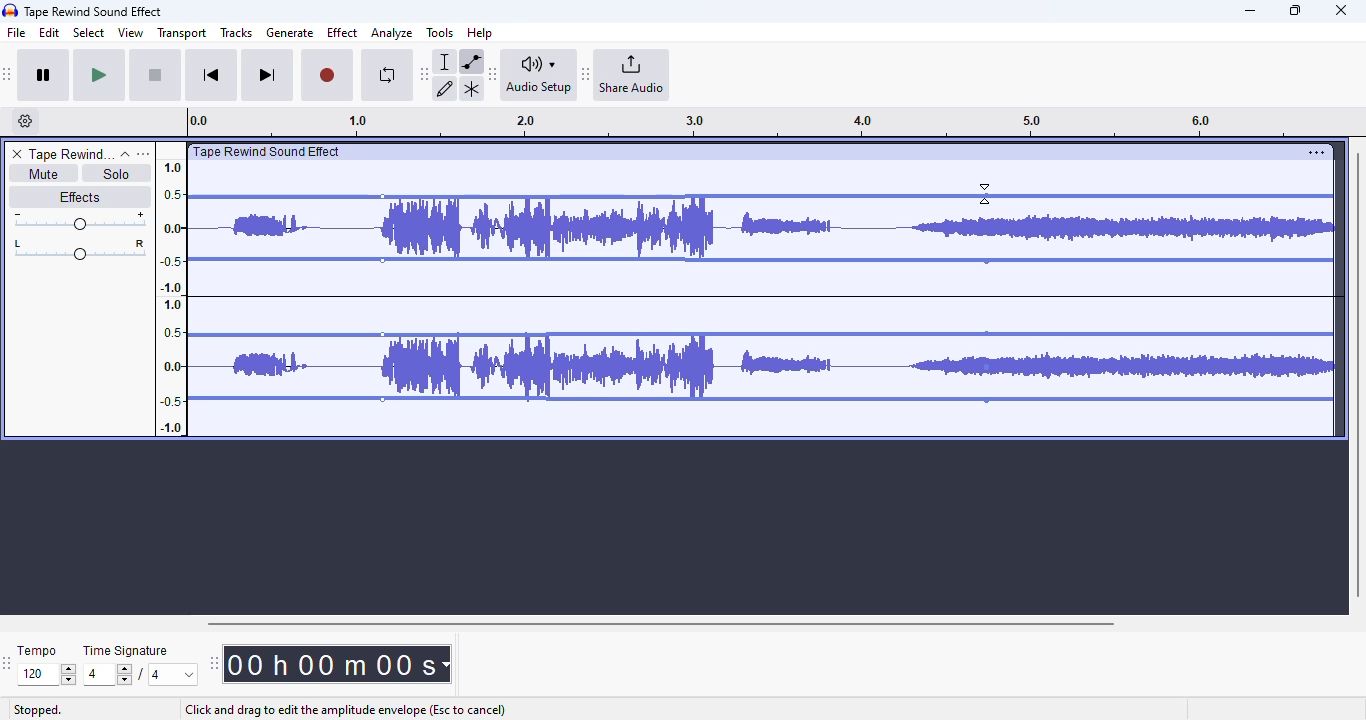 The image size is (1366, 720). What do you see at coordinates (8, 74) in the screenshot?
I see `Move audacity transport toolbar` at bounding box center [8, 74].